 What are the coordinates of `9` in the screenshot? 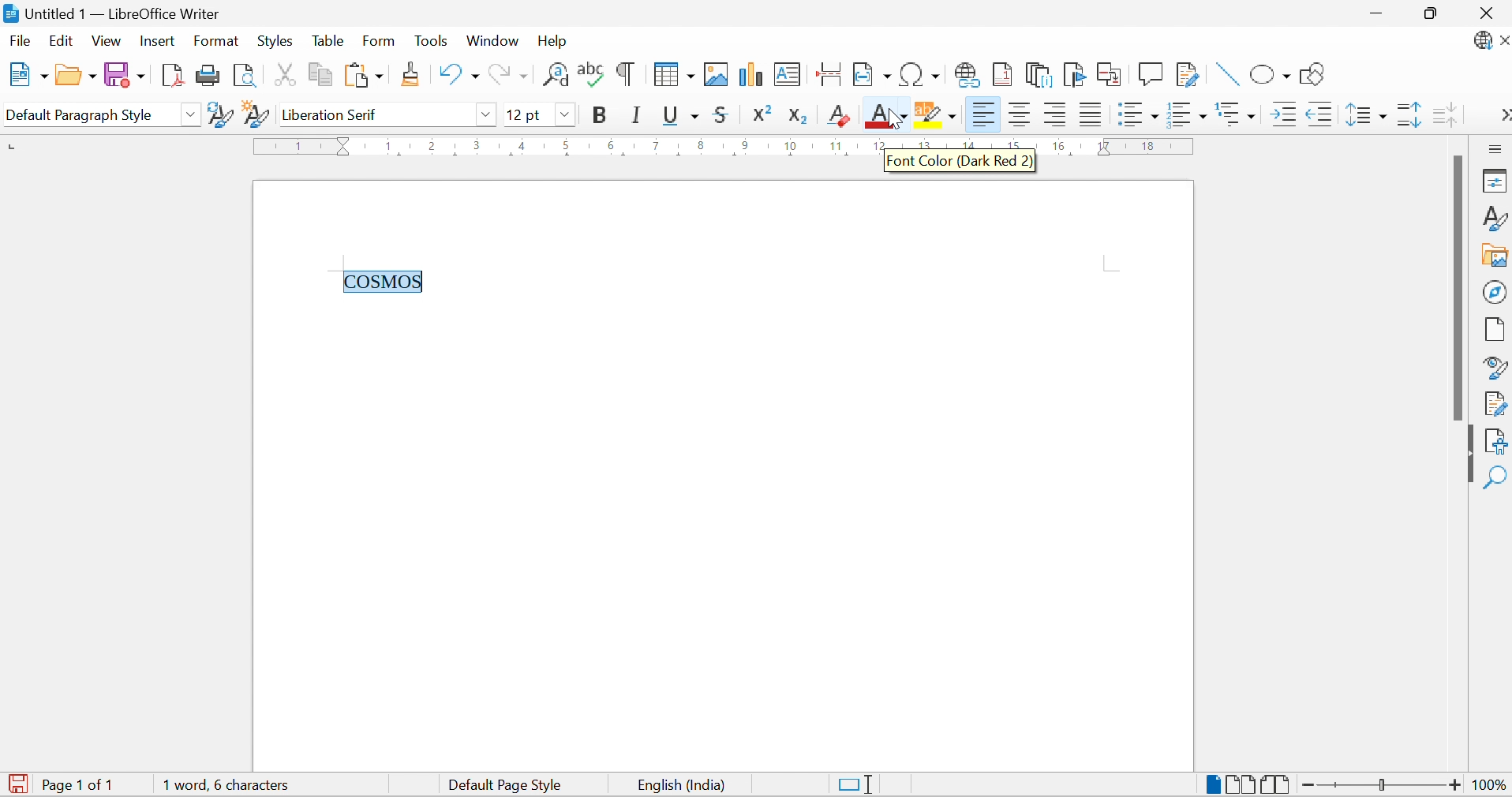 It's located at (743, 146).